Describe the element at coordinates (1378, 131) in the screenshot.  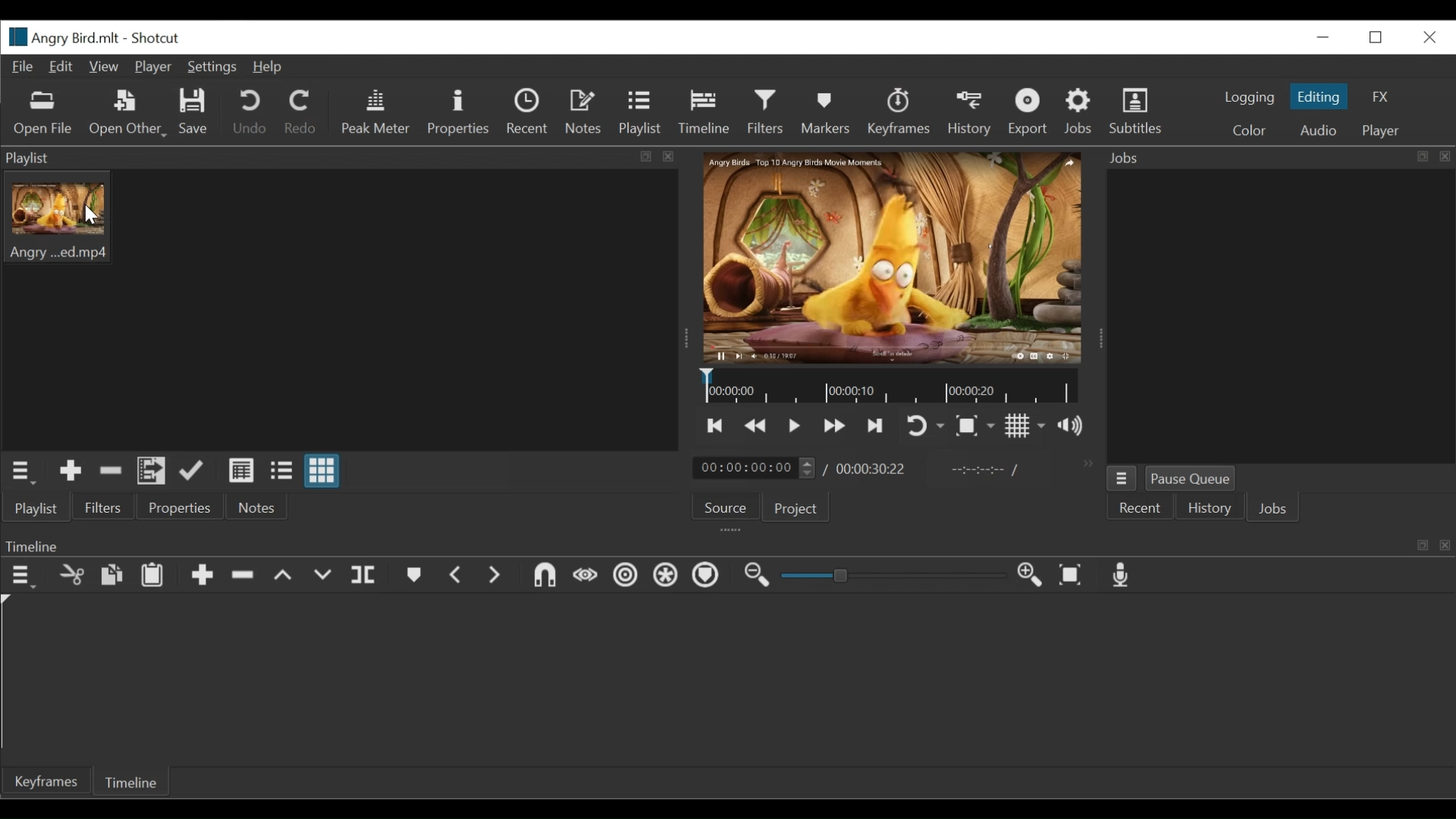
I see `player` at that location.